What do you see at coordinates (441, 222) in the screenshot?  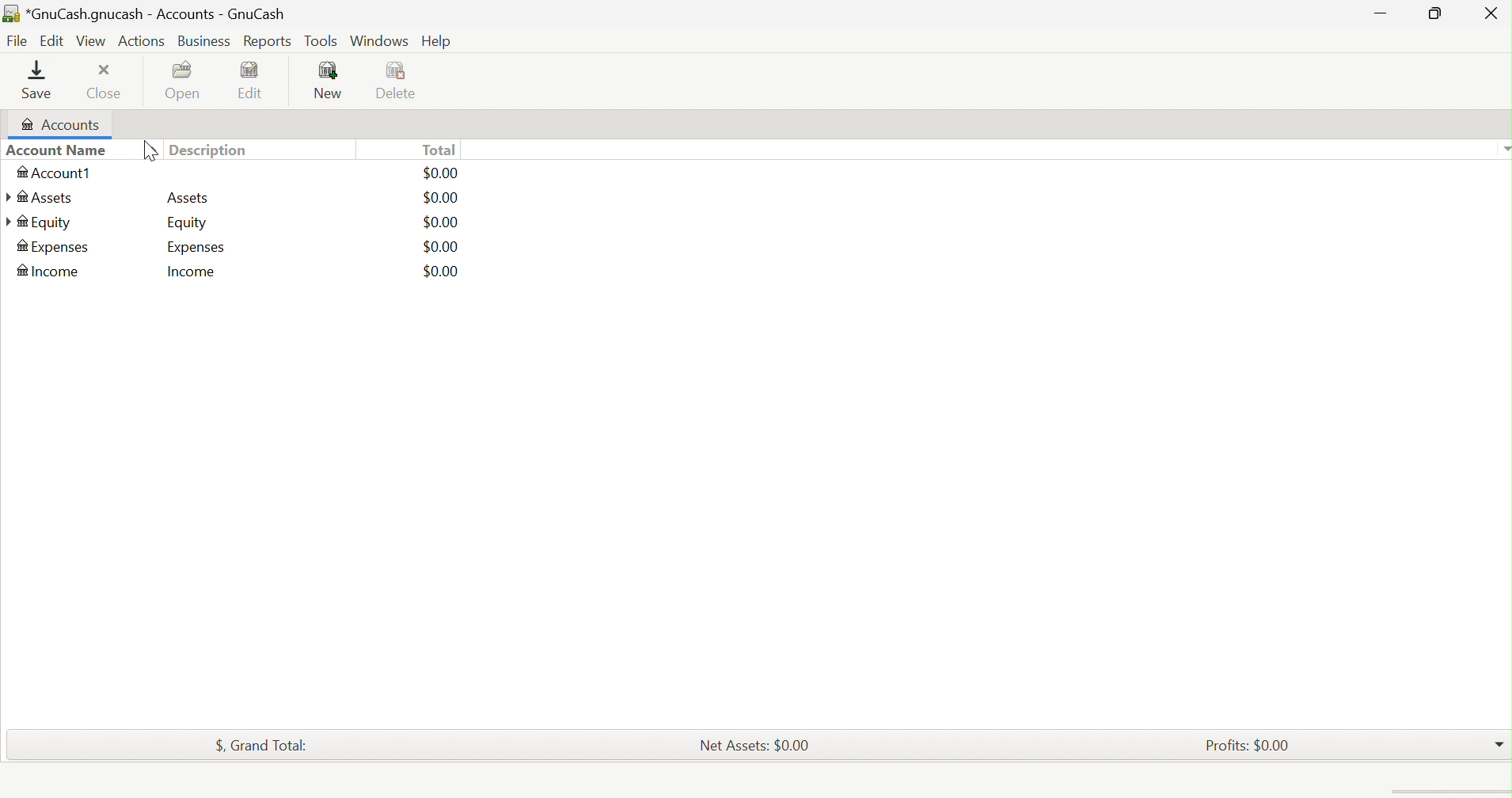 I see `$0.00` at bounding box center [441, 222].